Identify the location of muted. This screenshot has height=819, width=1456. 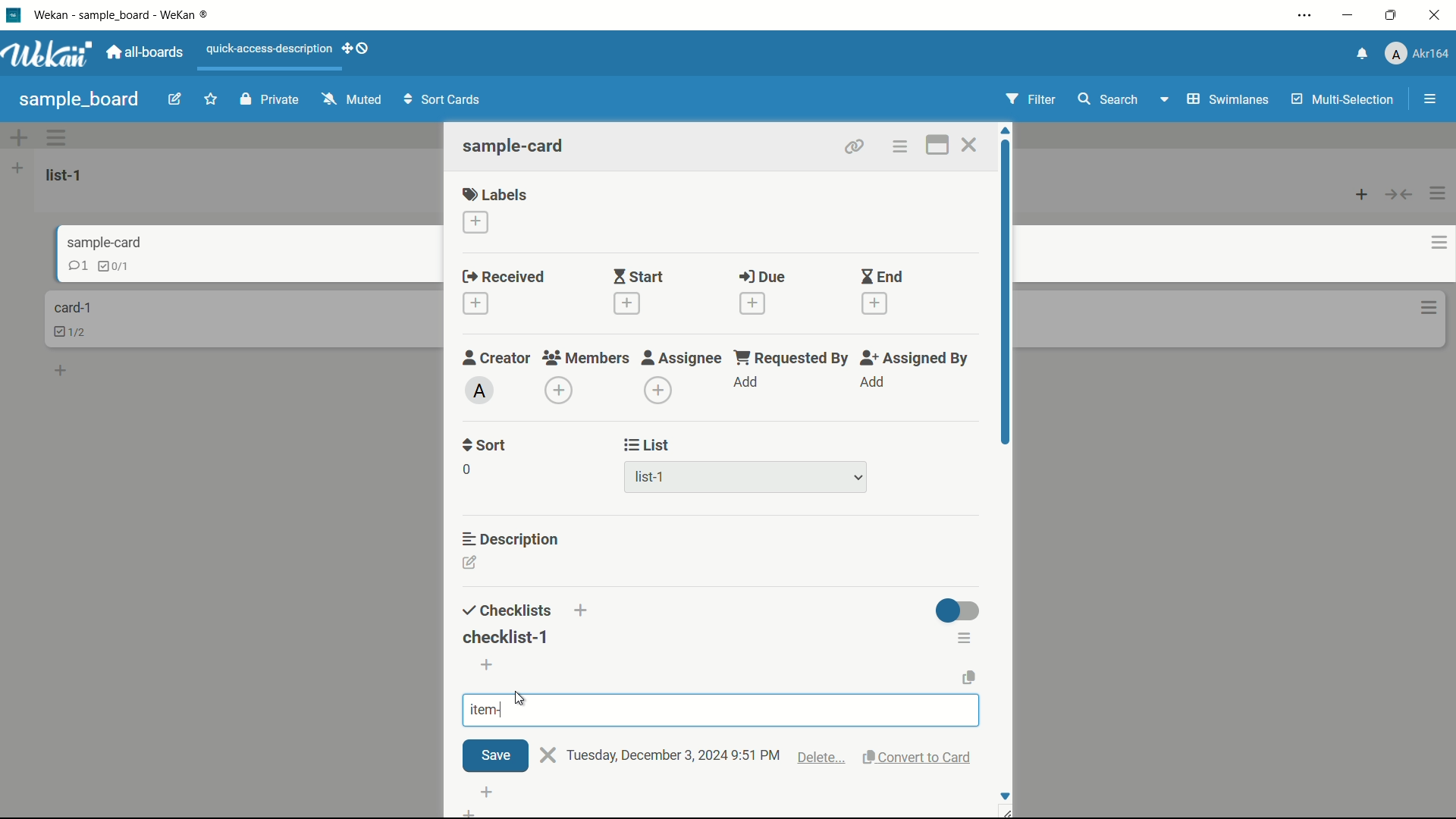
(353, 99).